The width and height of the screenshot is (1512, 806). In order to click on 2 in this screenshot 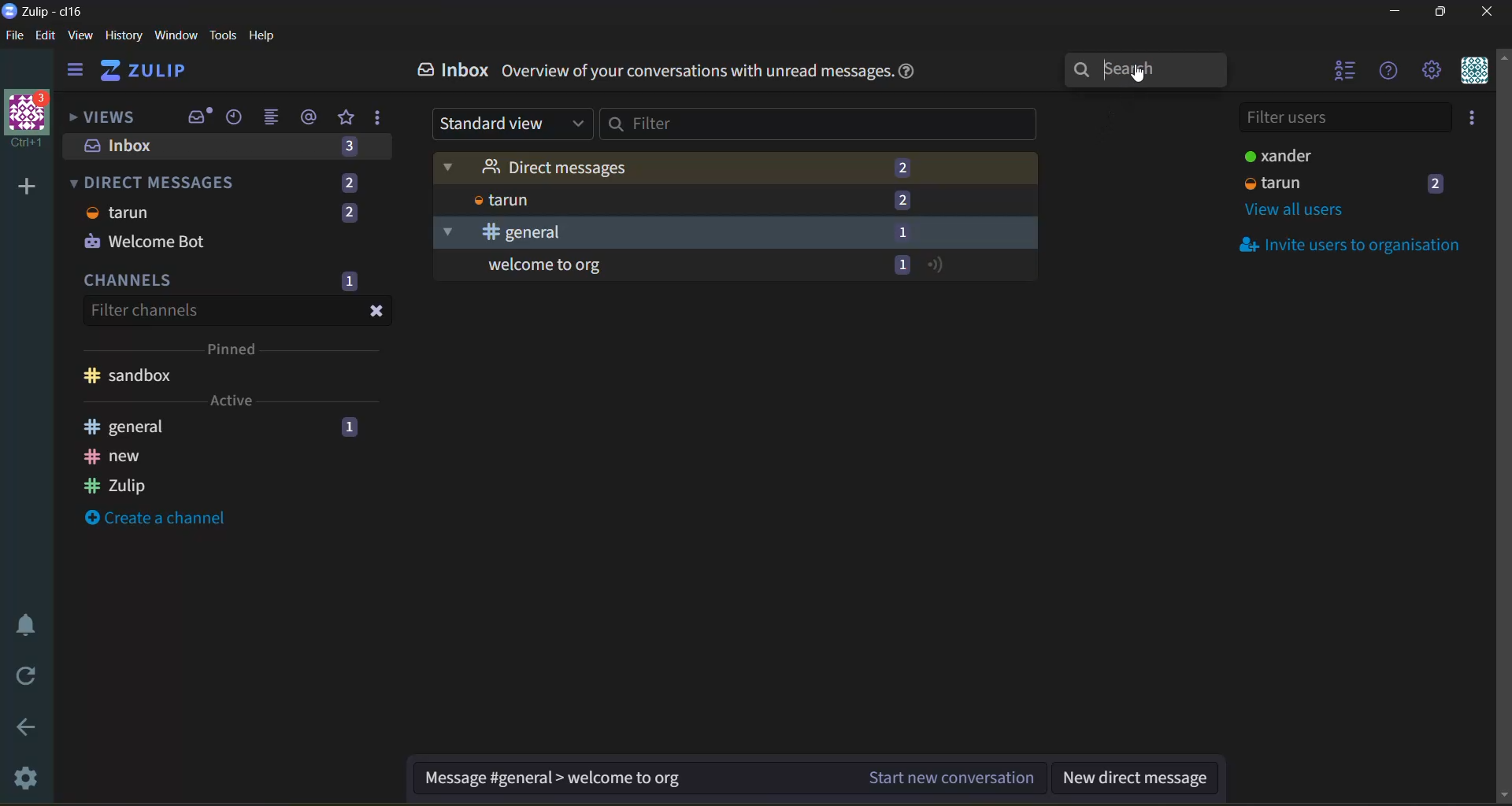, I will do `click(1438, 183)`.